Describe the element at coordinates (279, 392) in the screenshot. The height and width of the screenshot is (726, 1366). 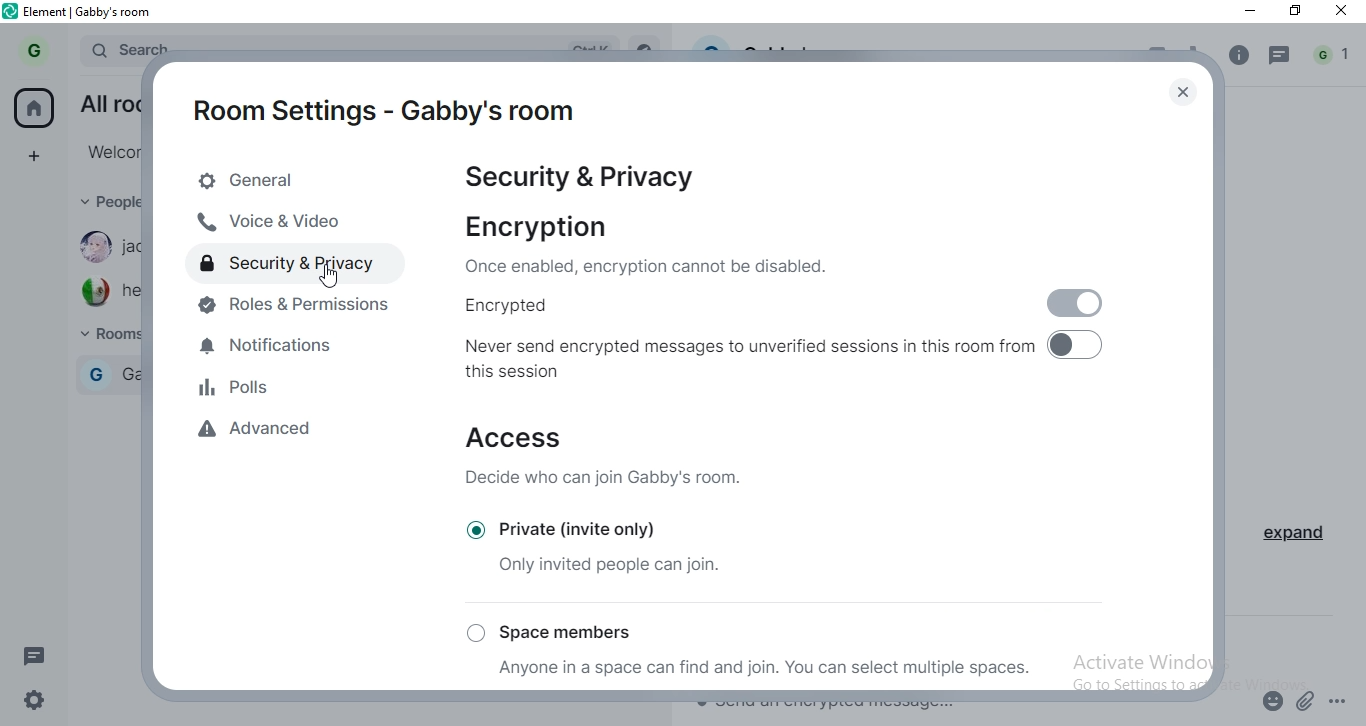
I see `polls` at that location.